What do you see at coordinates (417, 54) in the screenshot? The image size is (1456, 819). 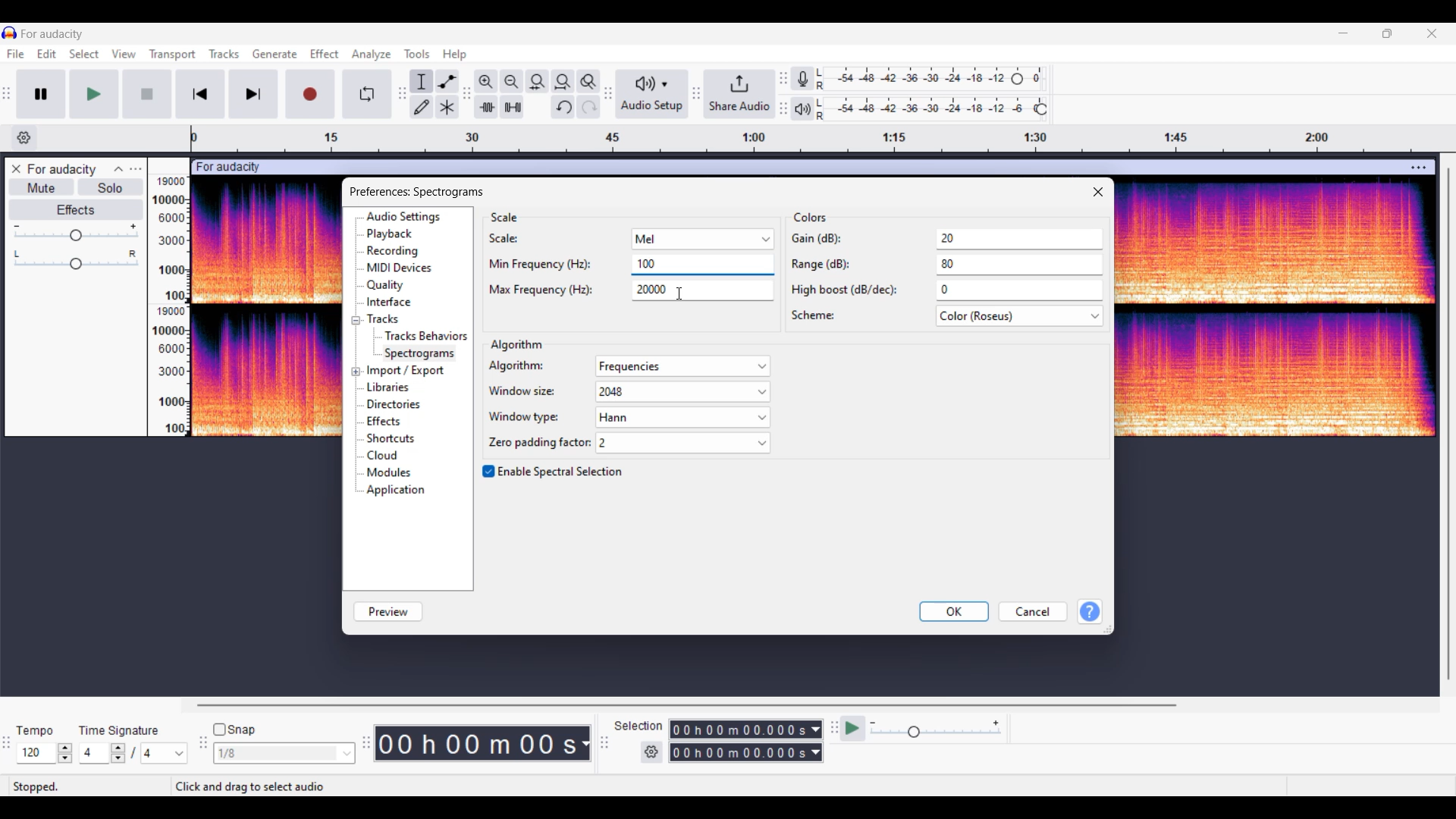 I see `Tools menu` at bounding box center [417, 54].